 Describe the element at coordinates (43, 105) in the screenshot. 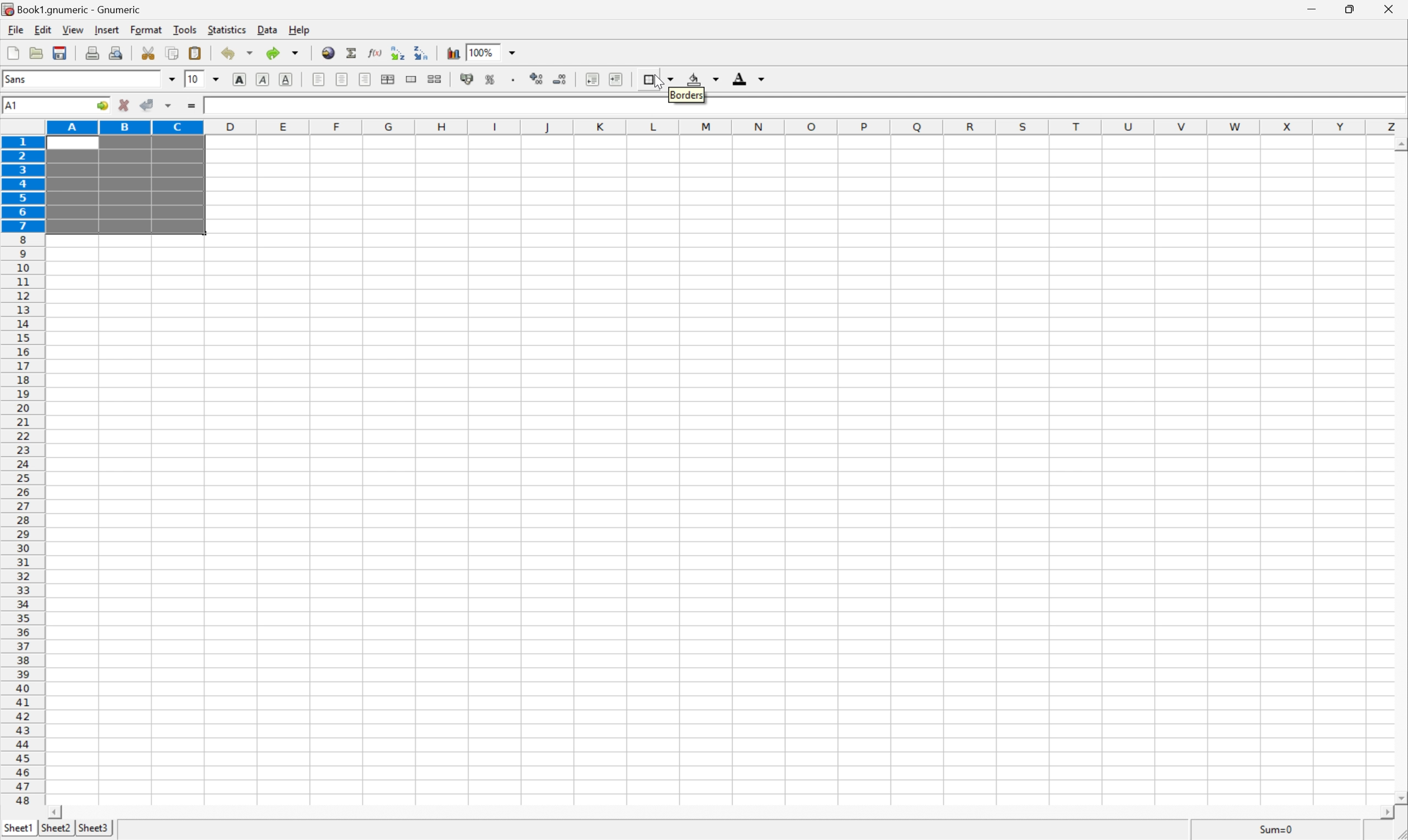

I see `7R×3C` at that location.